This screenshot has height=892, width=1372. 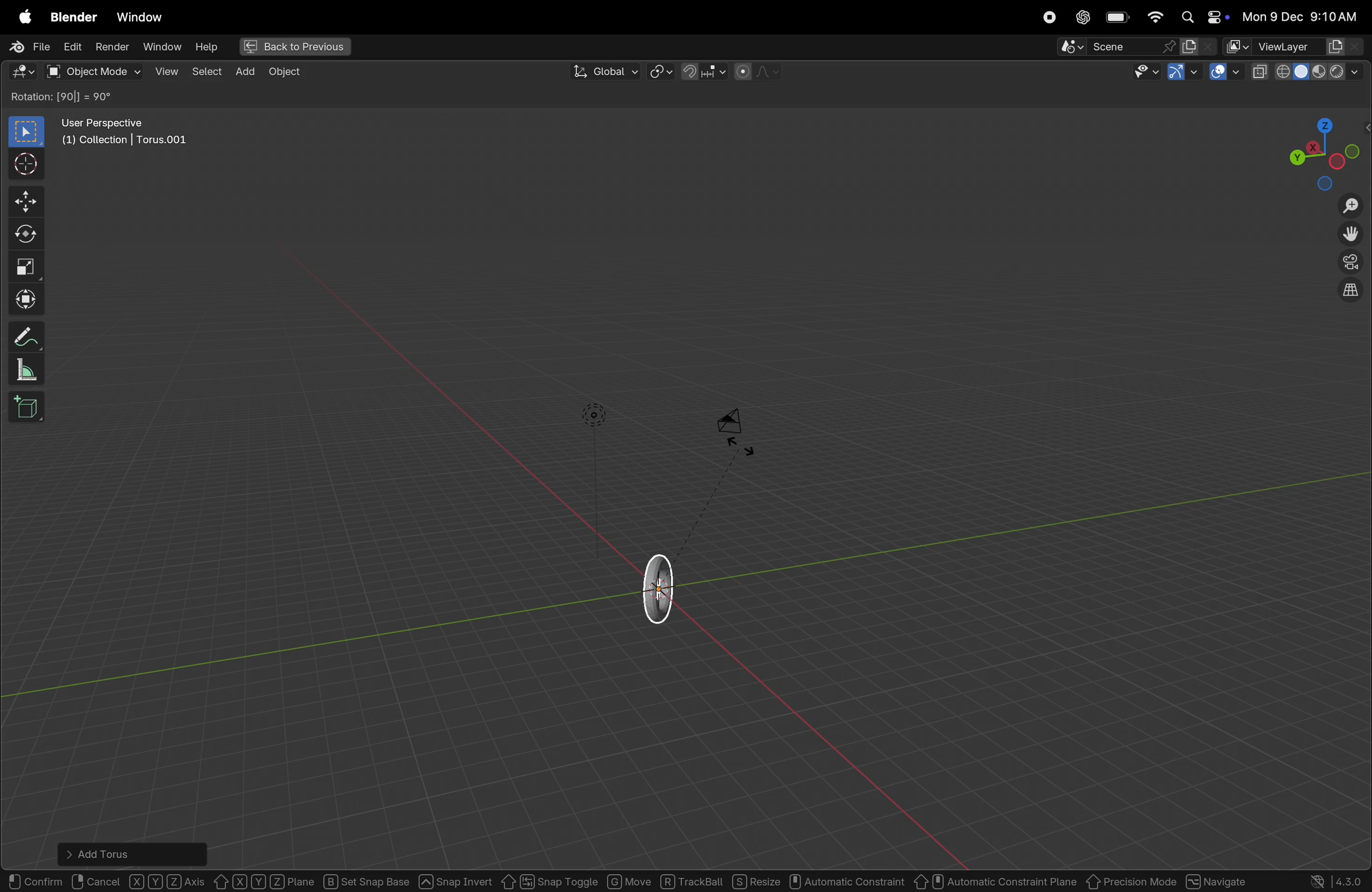 I want to click on show overlays, so click(x=1226, y=73).